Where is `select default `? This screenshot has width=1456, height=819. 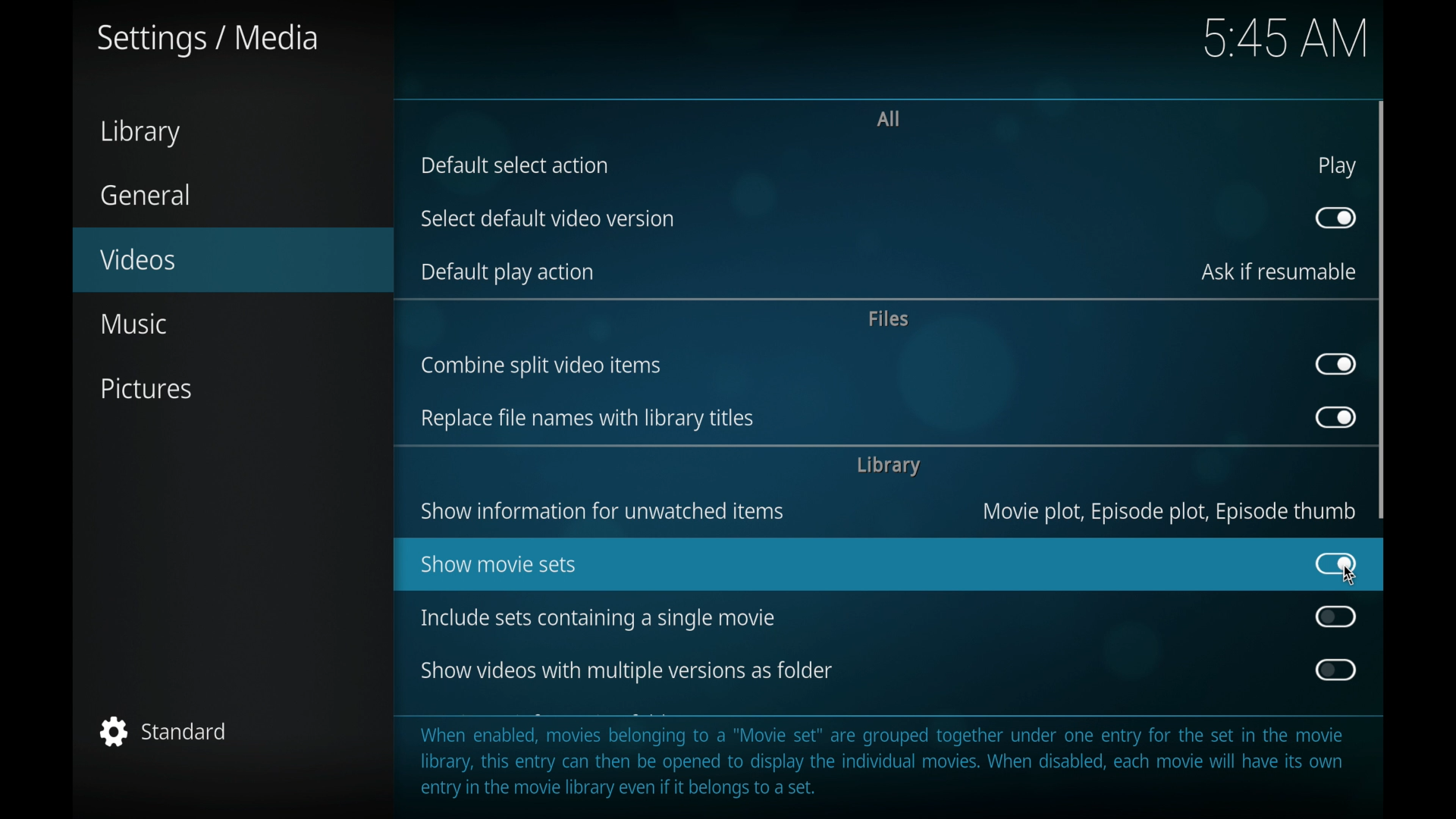 select default  is located at coordinates (548, 219).